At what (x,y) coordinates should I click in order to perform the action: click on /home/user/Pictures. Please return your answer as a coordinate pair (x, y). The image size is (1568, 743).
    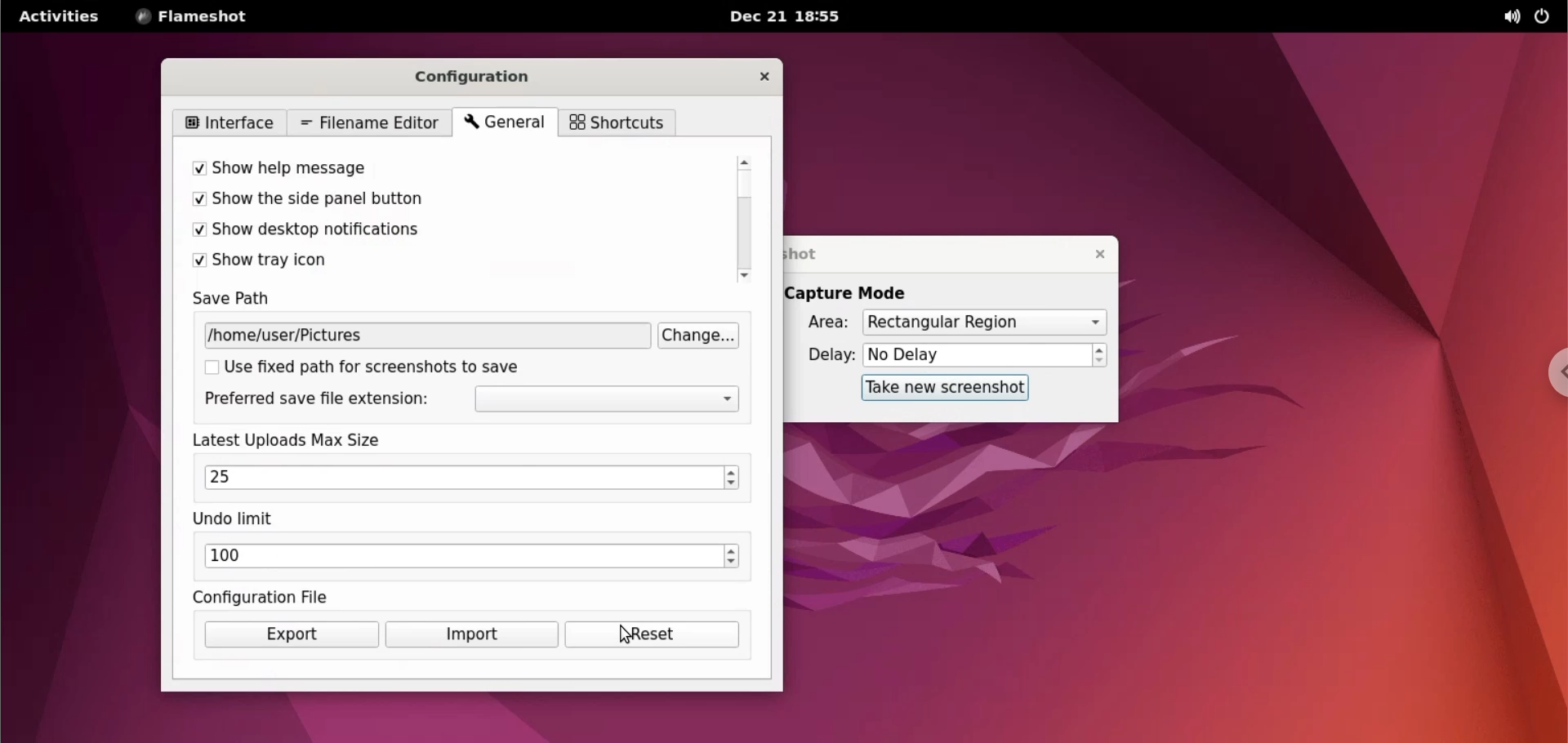
    Looking at the image, I should click on (389, 336).